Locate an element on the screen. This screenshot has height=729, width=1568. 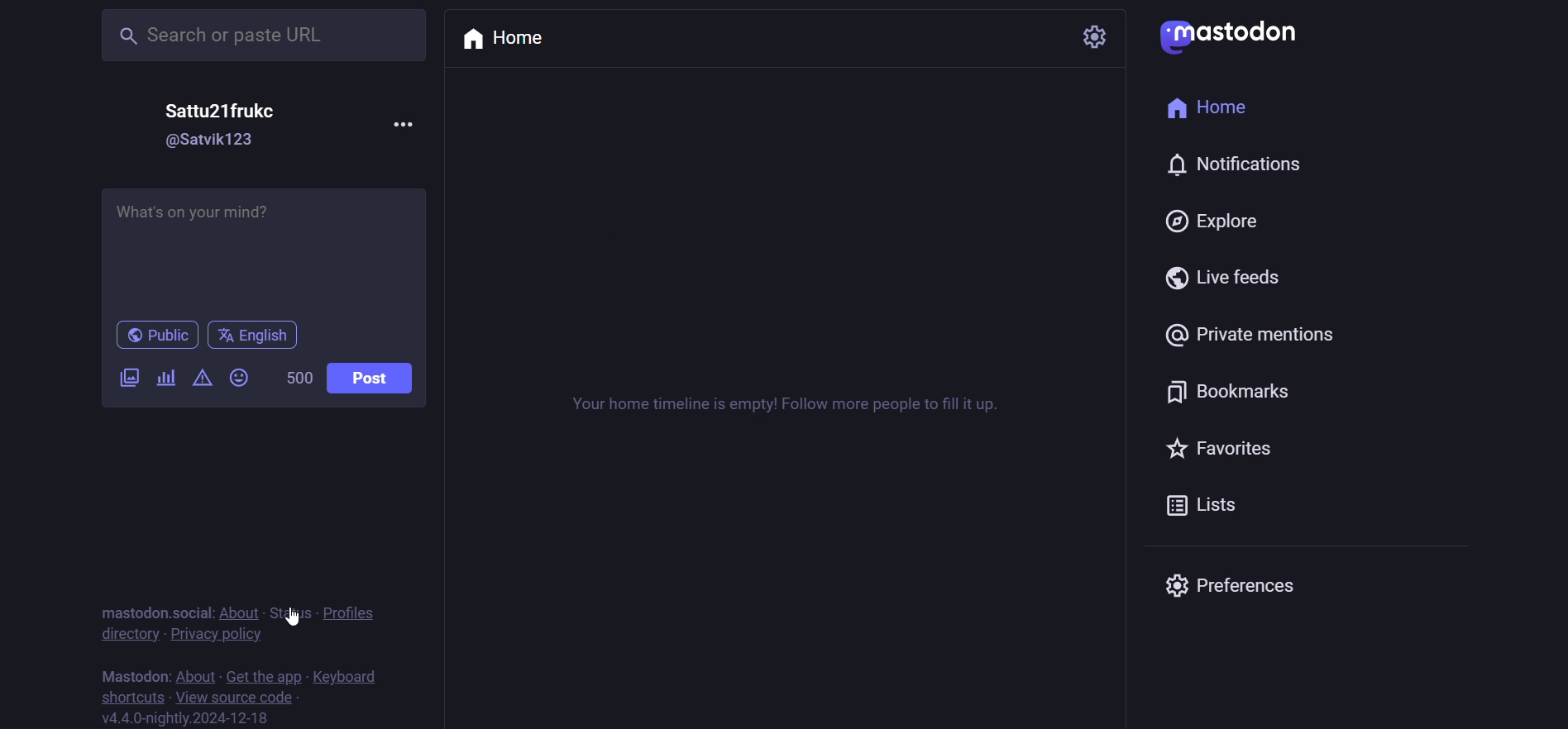
image/video is located at coordinates (129, 376).